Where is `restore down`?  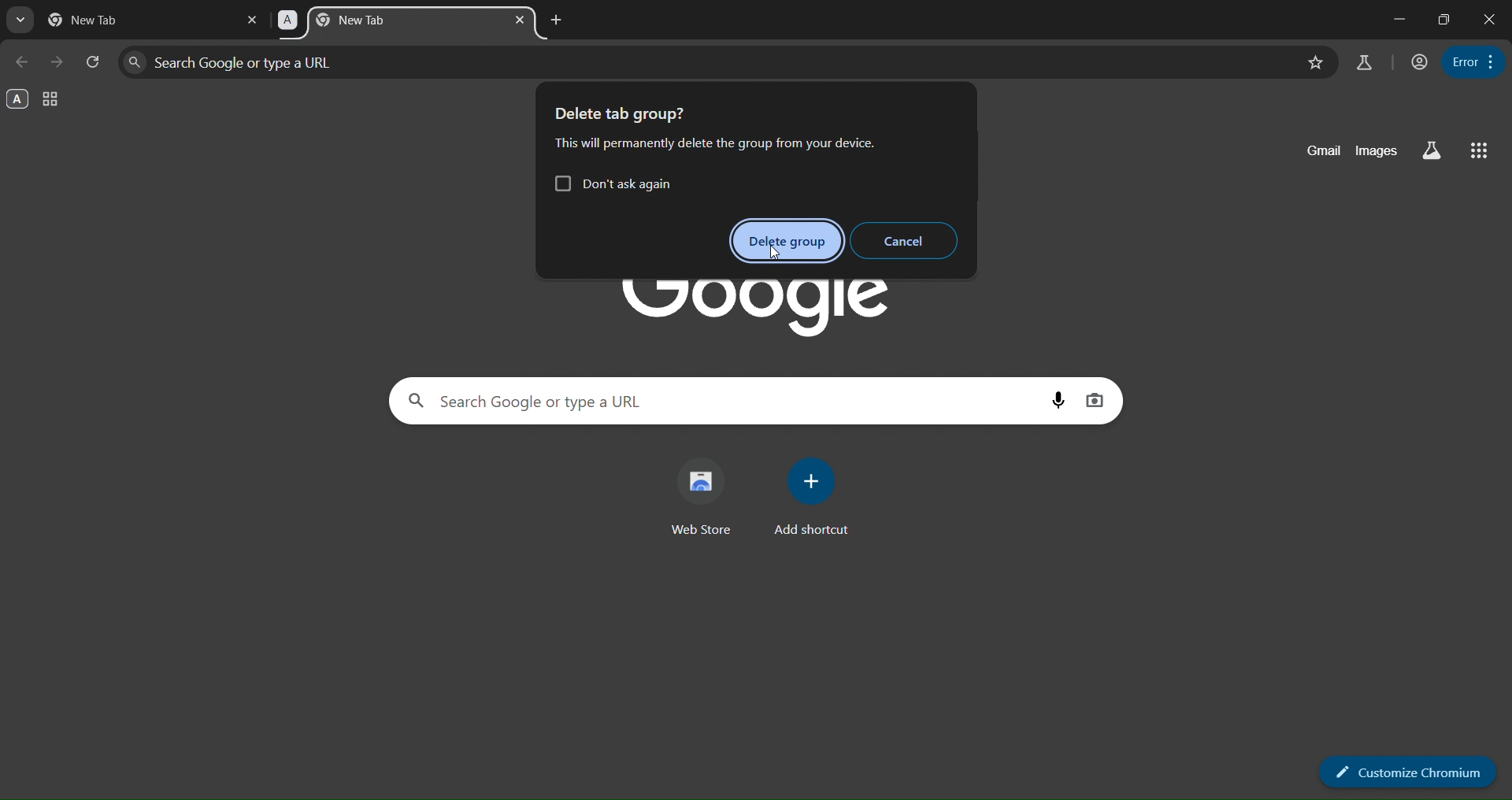
restore down is located at coordinates (1444, 20).